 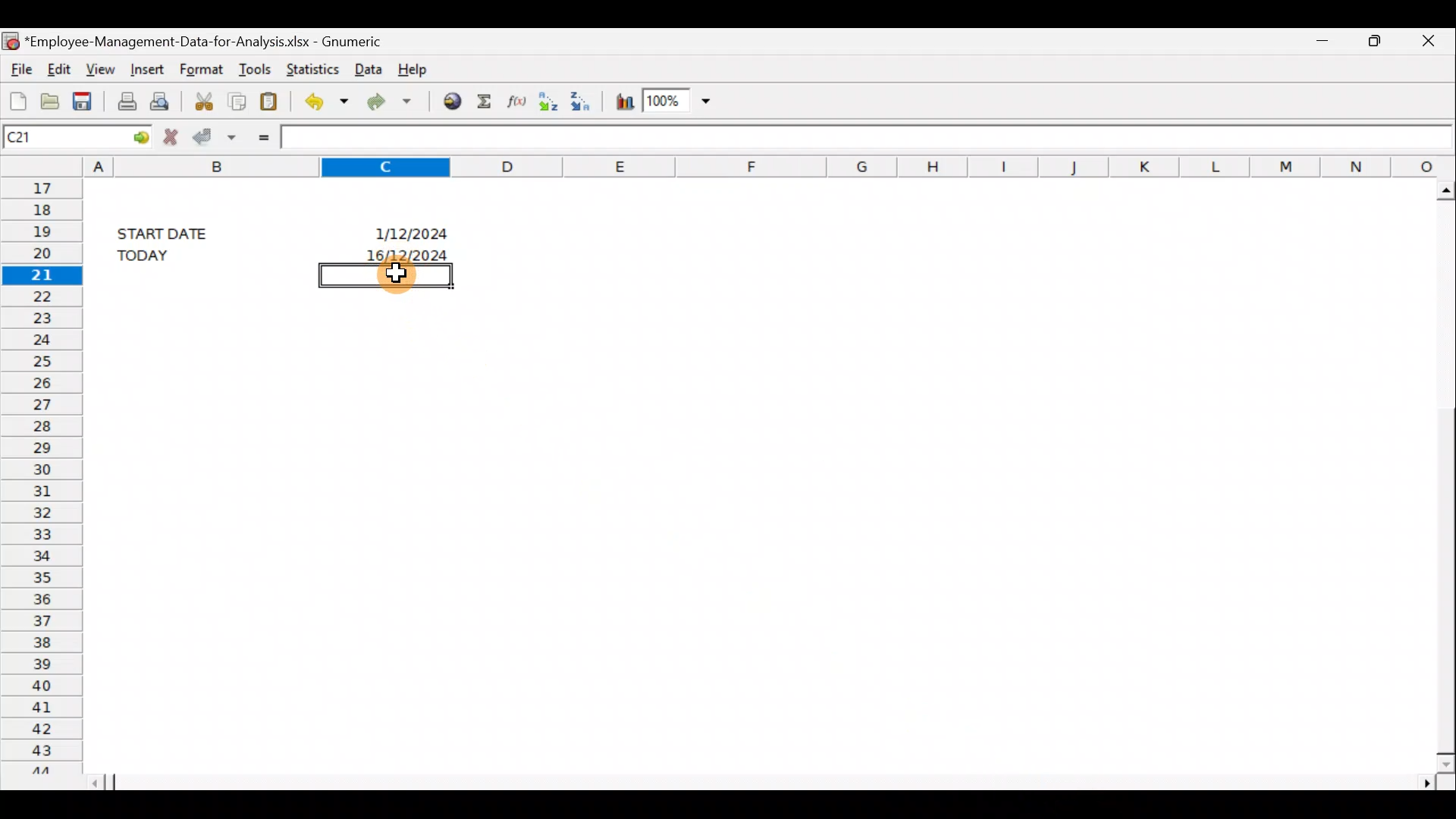 What do you see at coordinates (217, 136) in the screenshot?
I see `Accept change` at bounding box center [217, 136].